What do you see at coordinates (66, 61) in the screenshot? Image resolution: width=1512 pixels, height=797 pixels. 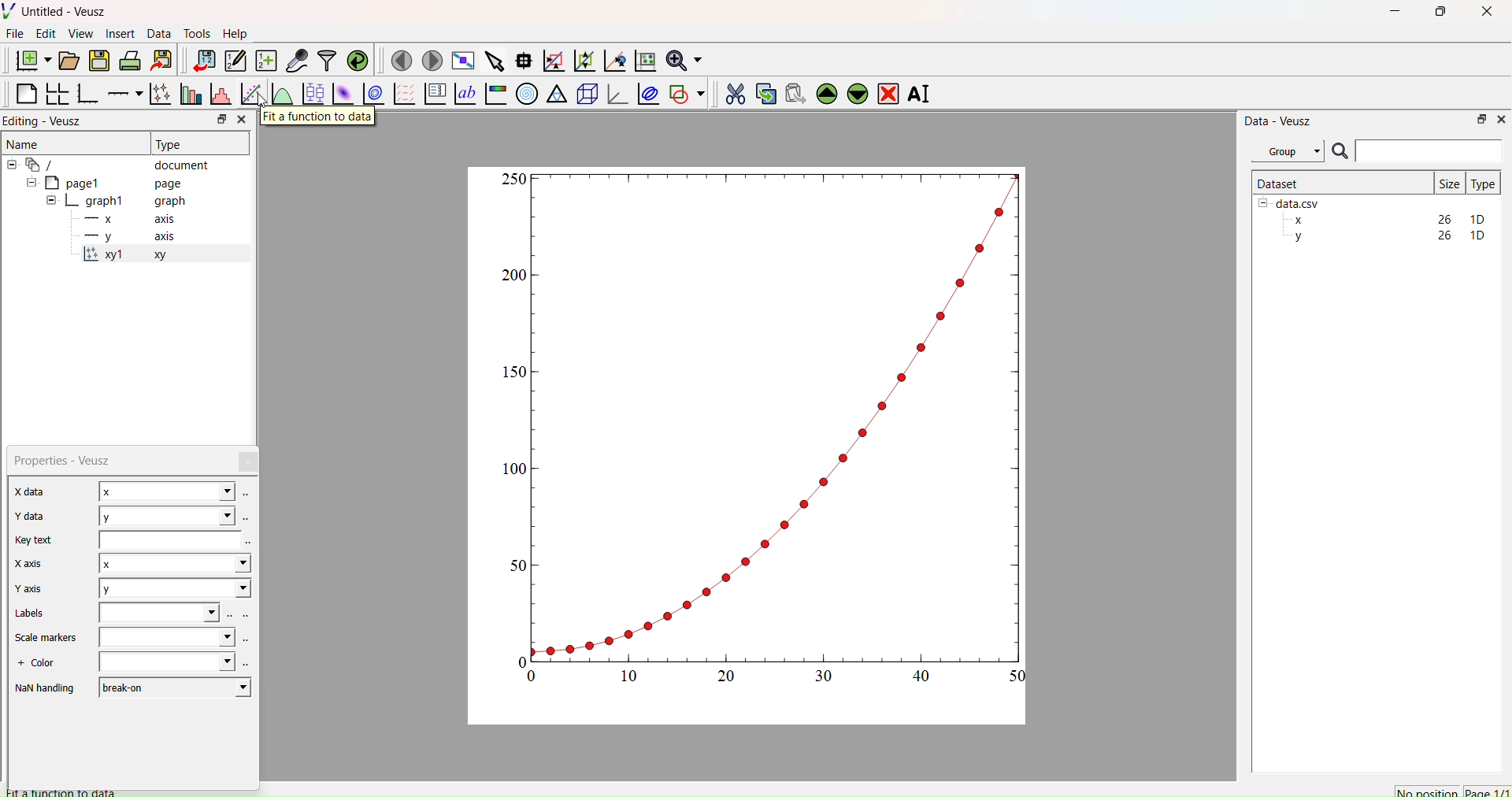 I see `Open` at bounding box center [66, 61].